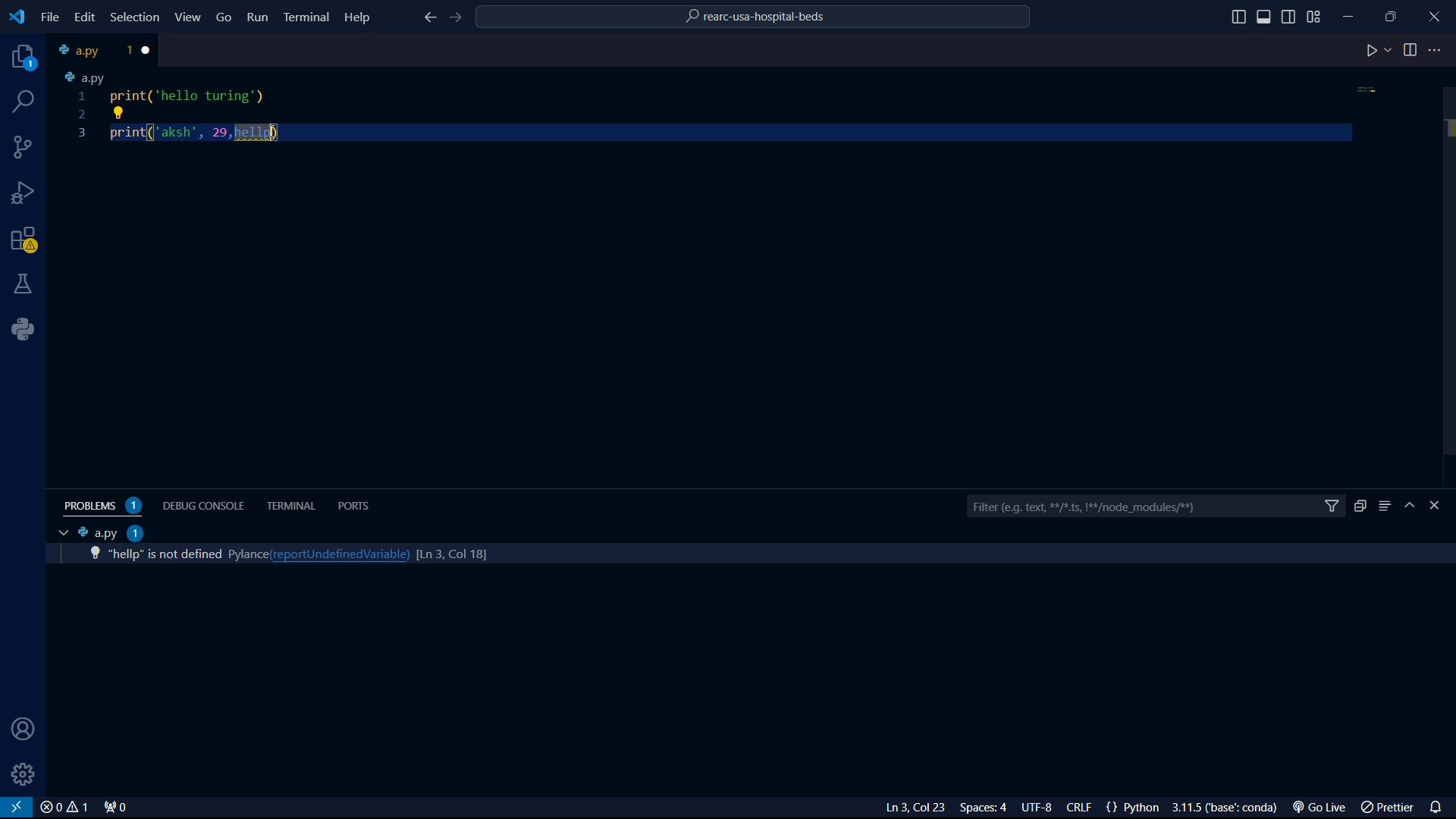  What do you see at coordinates (428, 19) in the screenshot?
I see `back` at bounding box center [428, 19].